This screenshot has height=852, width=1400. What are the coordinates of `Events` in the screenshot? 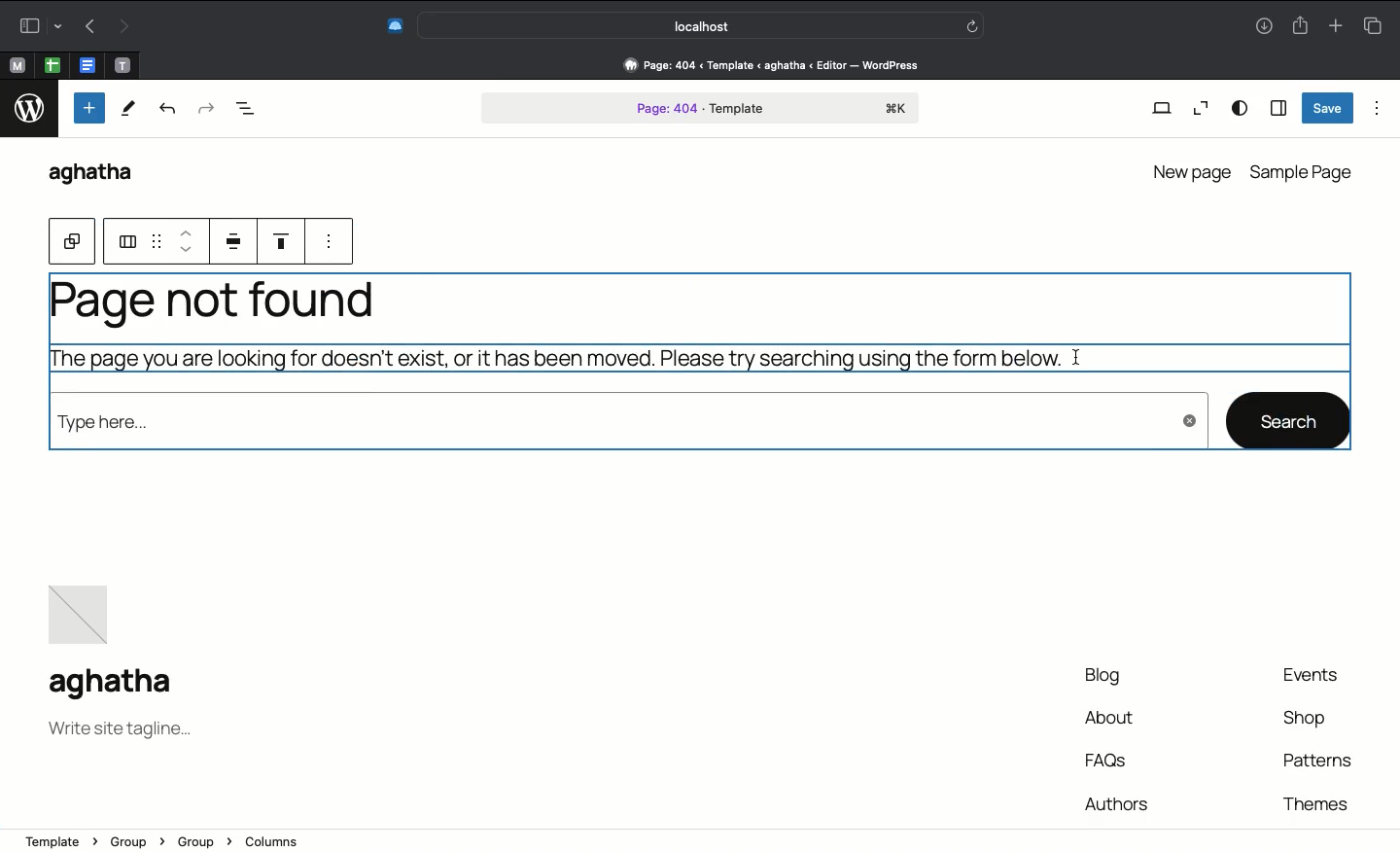 It's located at (1320, 676).